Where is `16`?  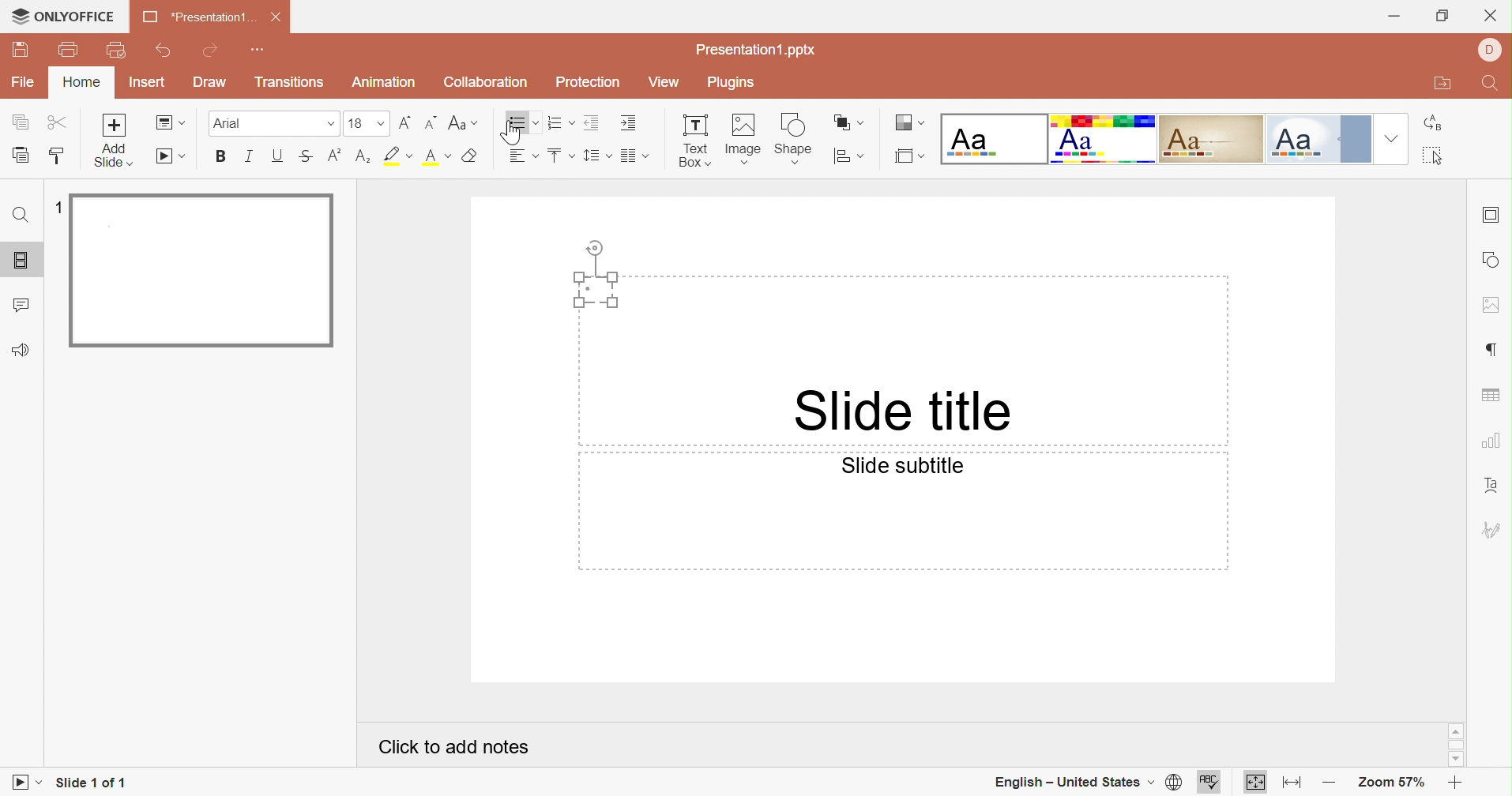 16 is located at coordinates (358, 123).